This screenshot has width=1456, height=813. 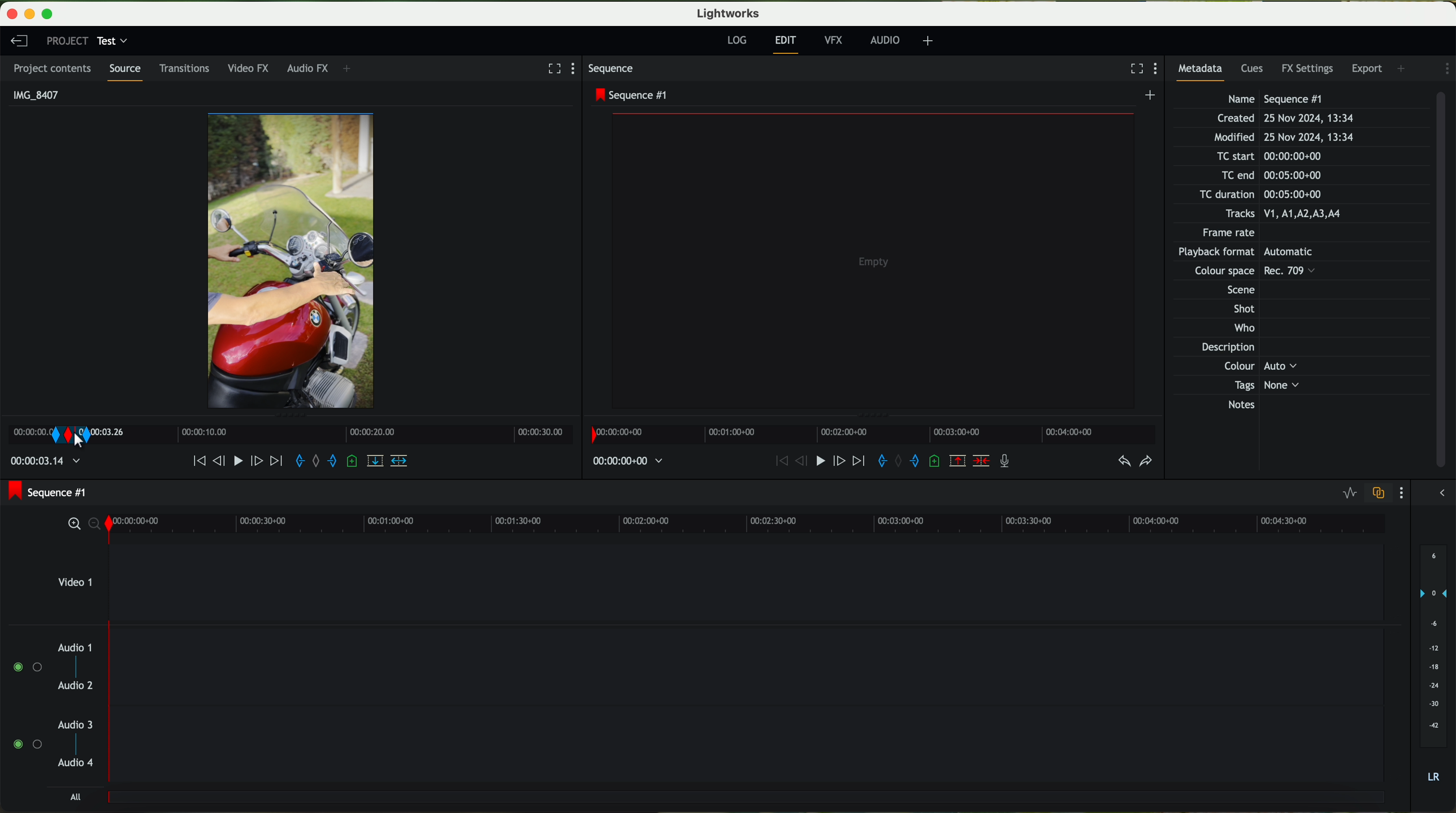 What do you see at coordinates (319, 461) in the screenshot?
I see `clear marks` at bounding box center [319, 461].